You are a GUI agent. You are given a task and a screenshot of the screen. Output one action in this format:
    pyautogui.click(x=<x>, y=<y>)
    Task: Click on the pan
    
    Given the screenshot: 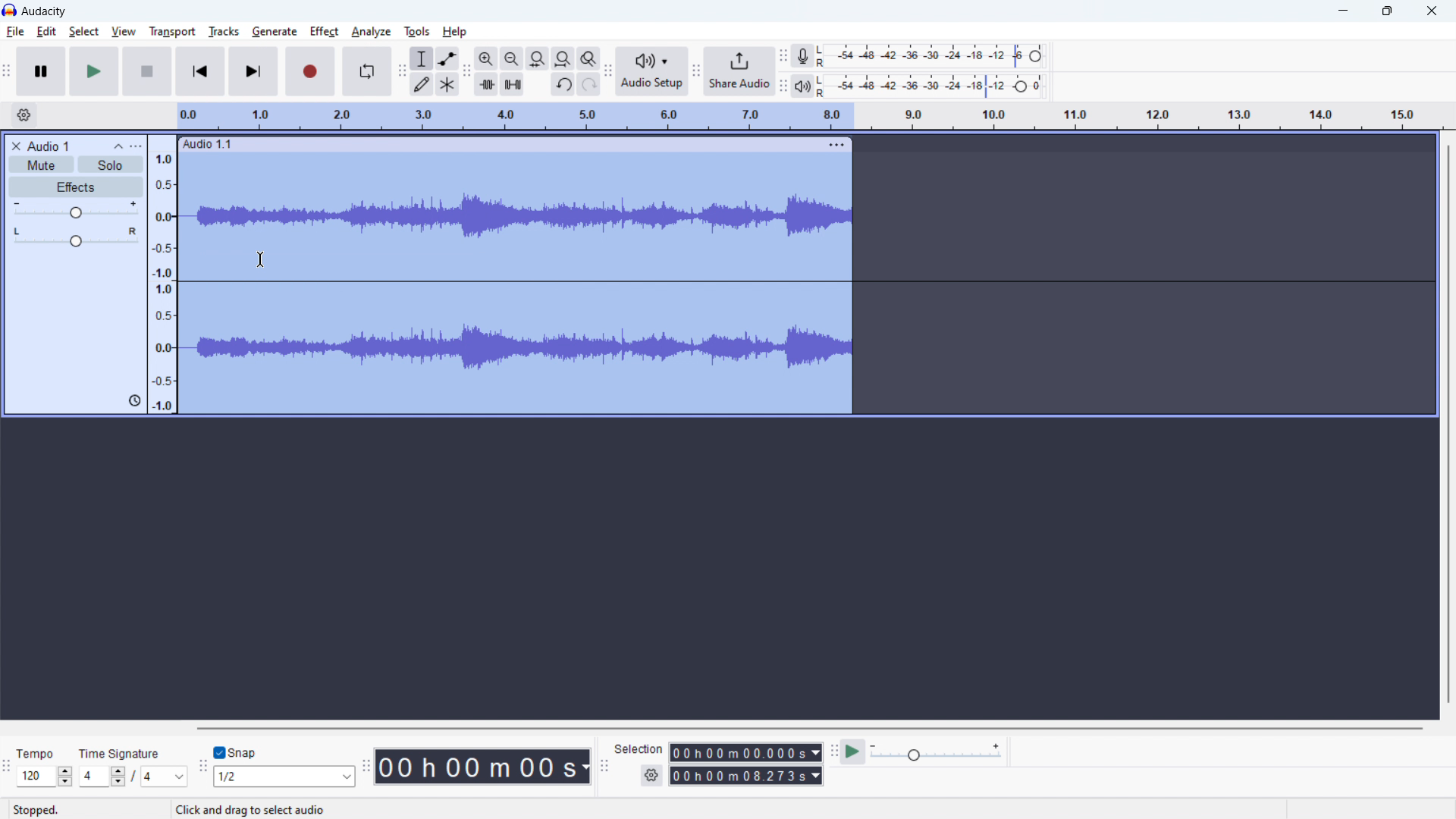 What is the action you would take?
    pyautogui.click(x=76, y=237)
    